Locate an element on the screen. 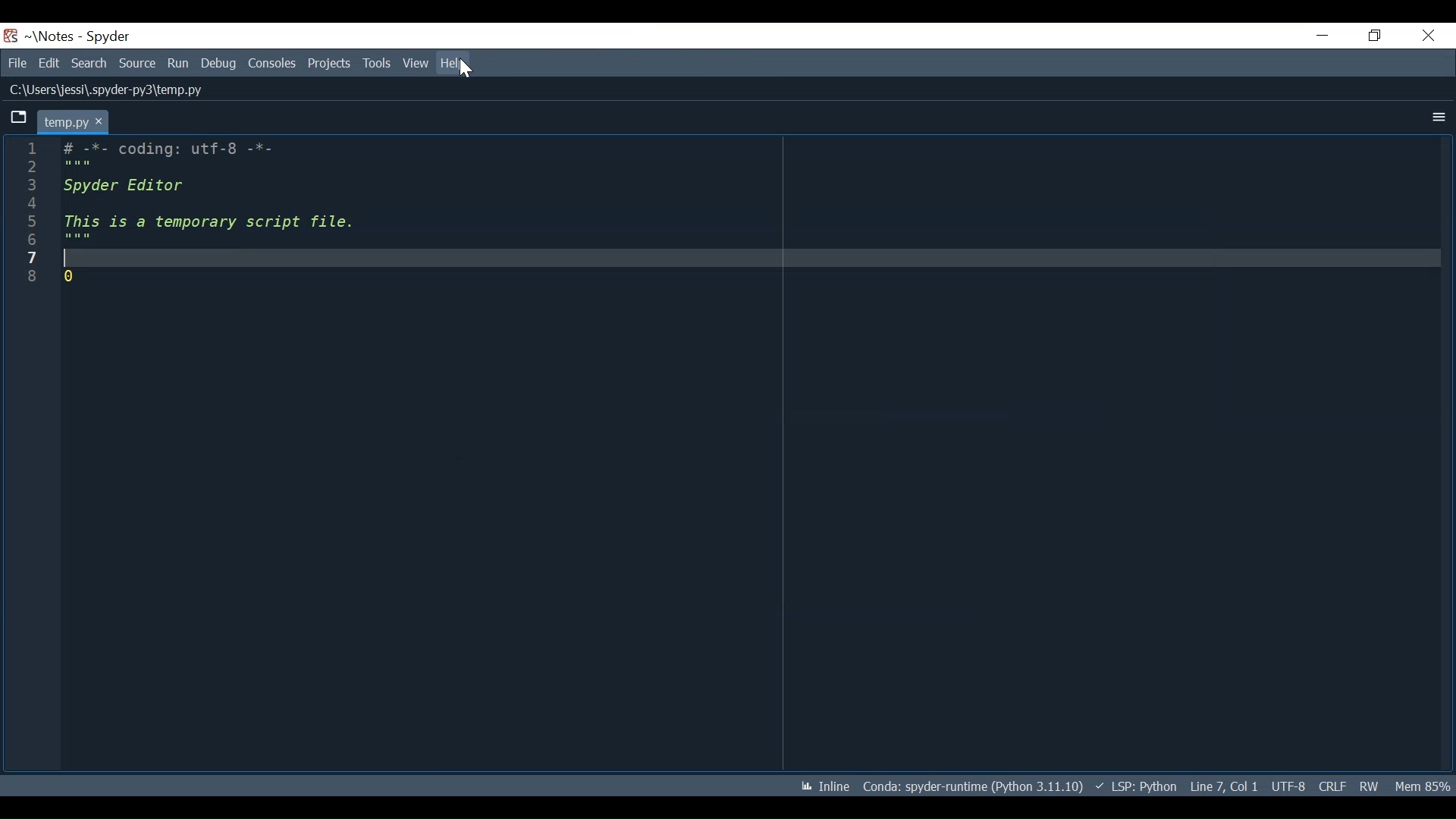 This screenshot has height=819, width=1456. RW is located at coordinates (1371, 786).